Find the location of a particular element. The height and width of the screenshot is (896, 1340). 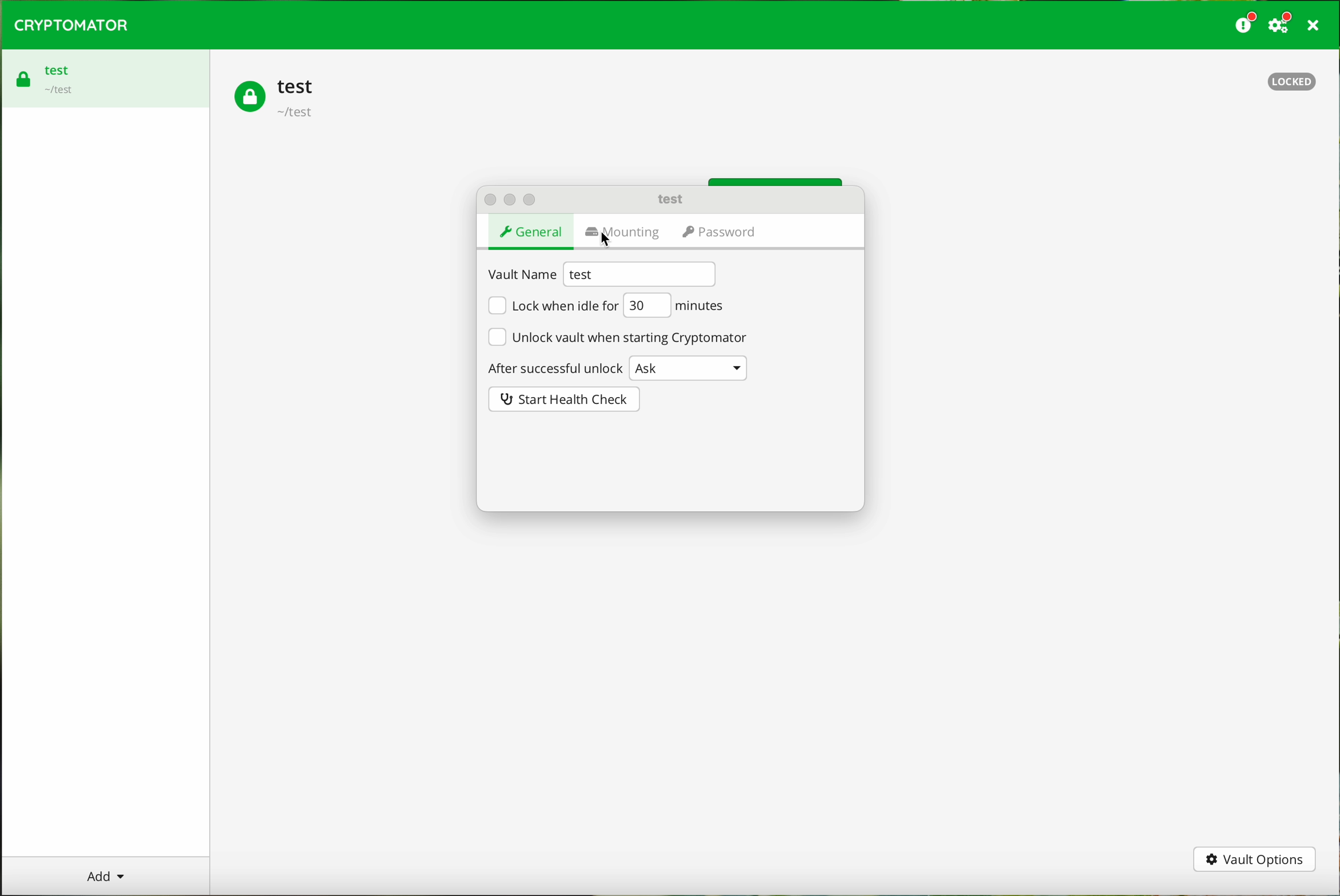

test vault is located at coordinates (106, 78).